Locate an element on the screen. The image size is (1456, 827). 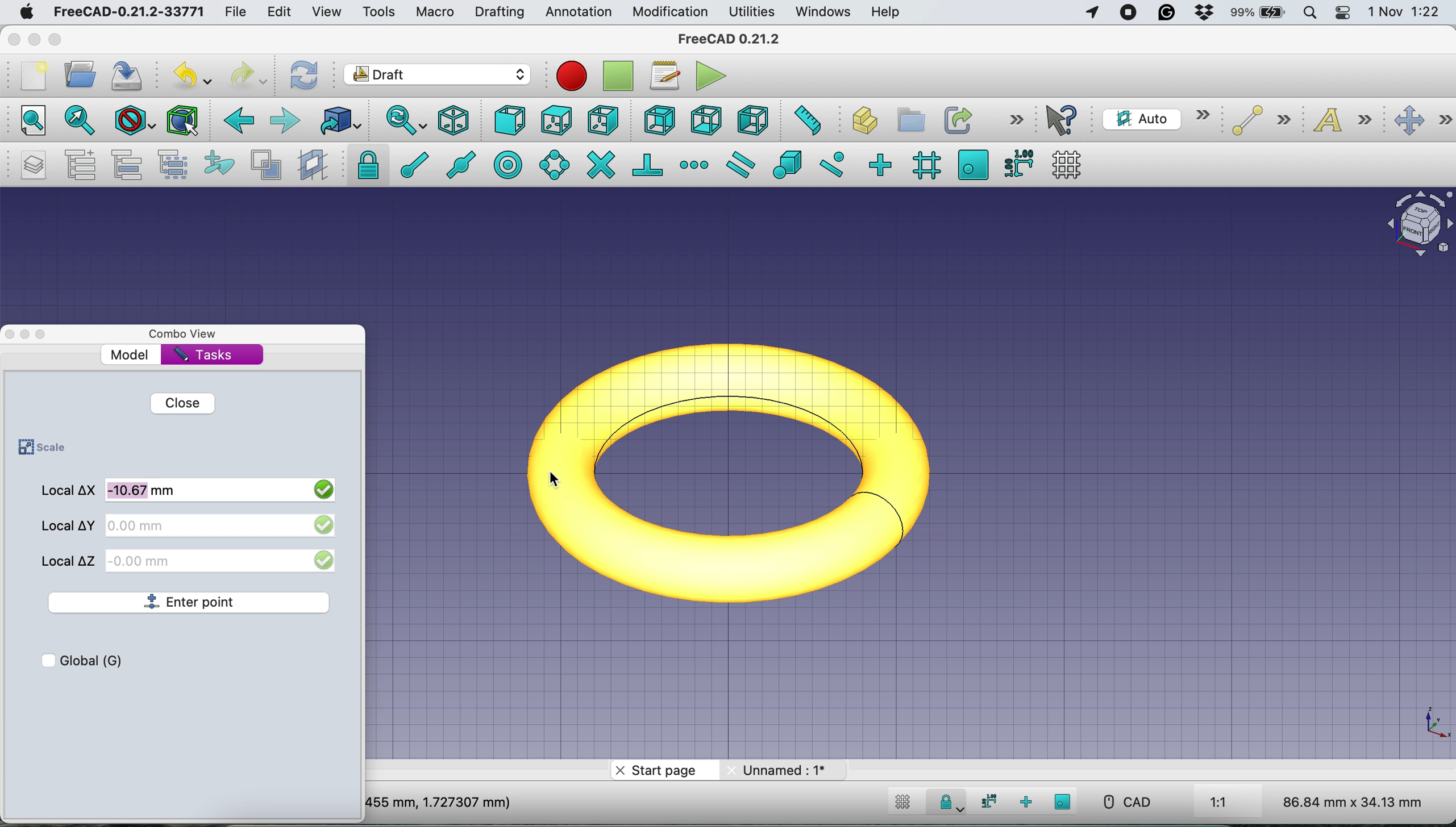
Y coordinate of next point is located at coordinates (222, 525).